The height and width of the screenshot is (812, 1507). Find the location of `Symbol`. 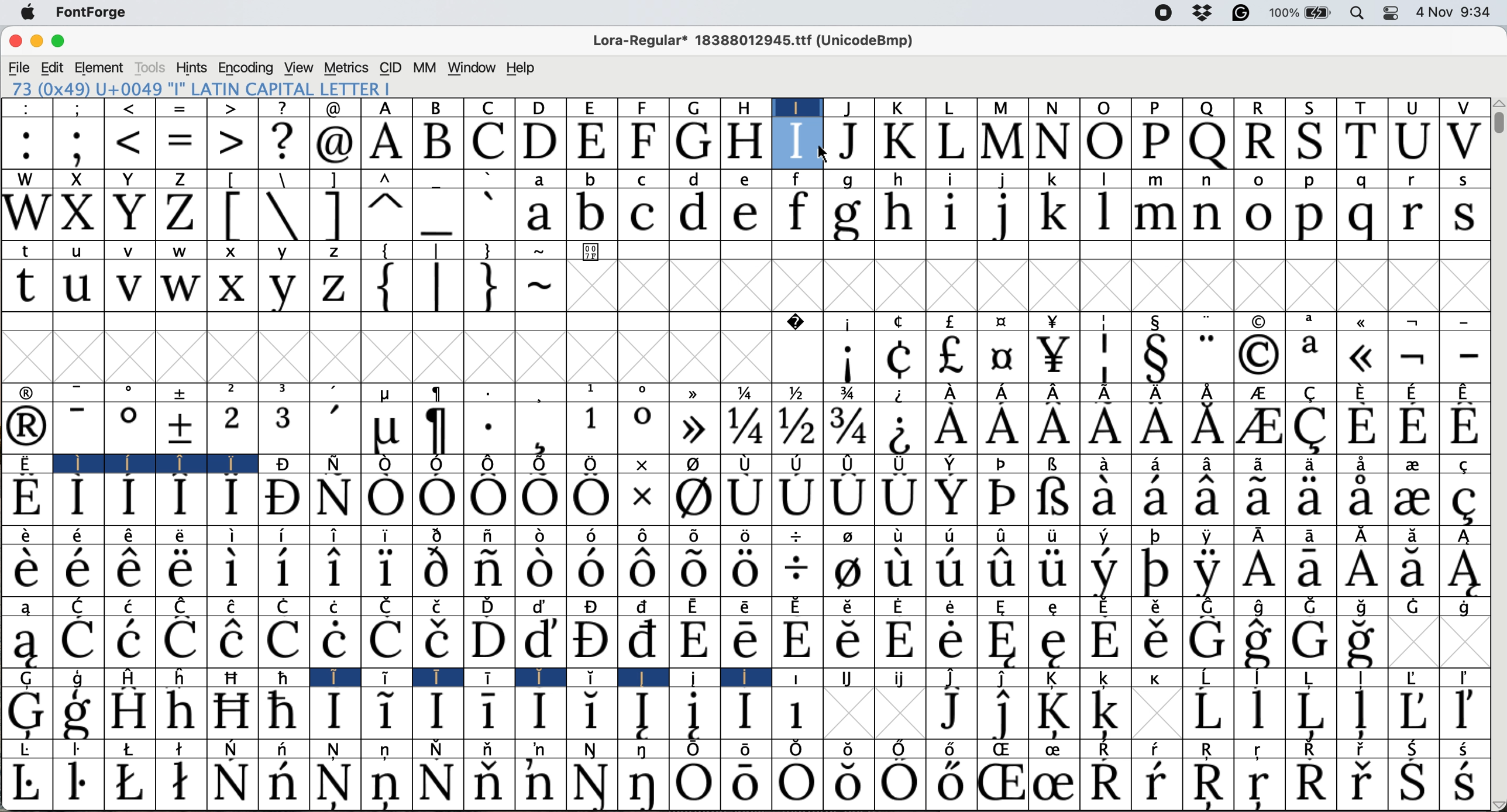

Symbol is located at coordinates (1003, 642).